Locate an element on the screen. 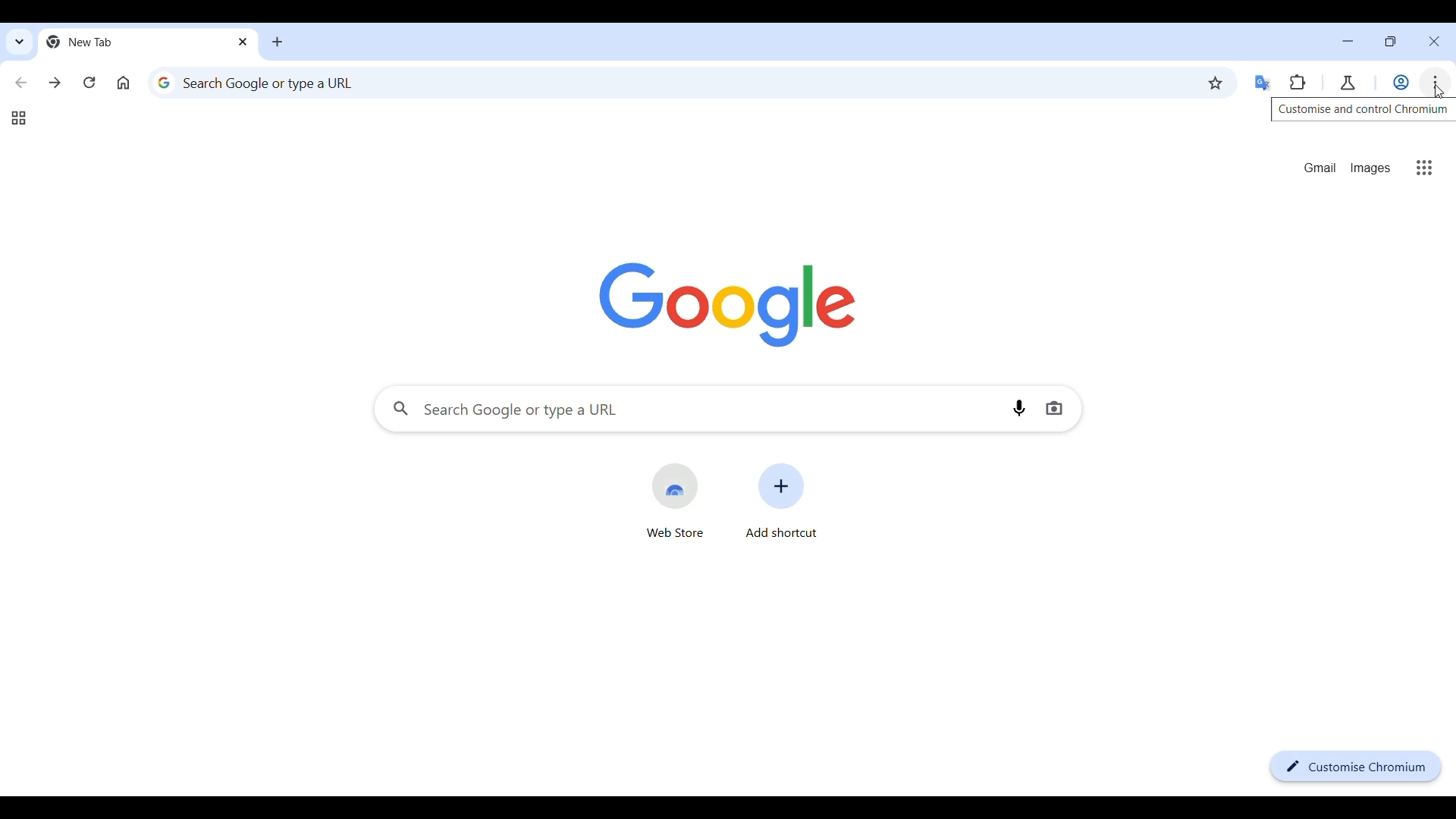 This screenshot has height=819, width=1456. Customize and control Chromium is located at coordinates (1435, 83).